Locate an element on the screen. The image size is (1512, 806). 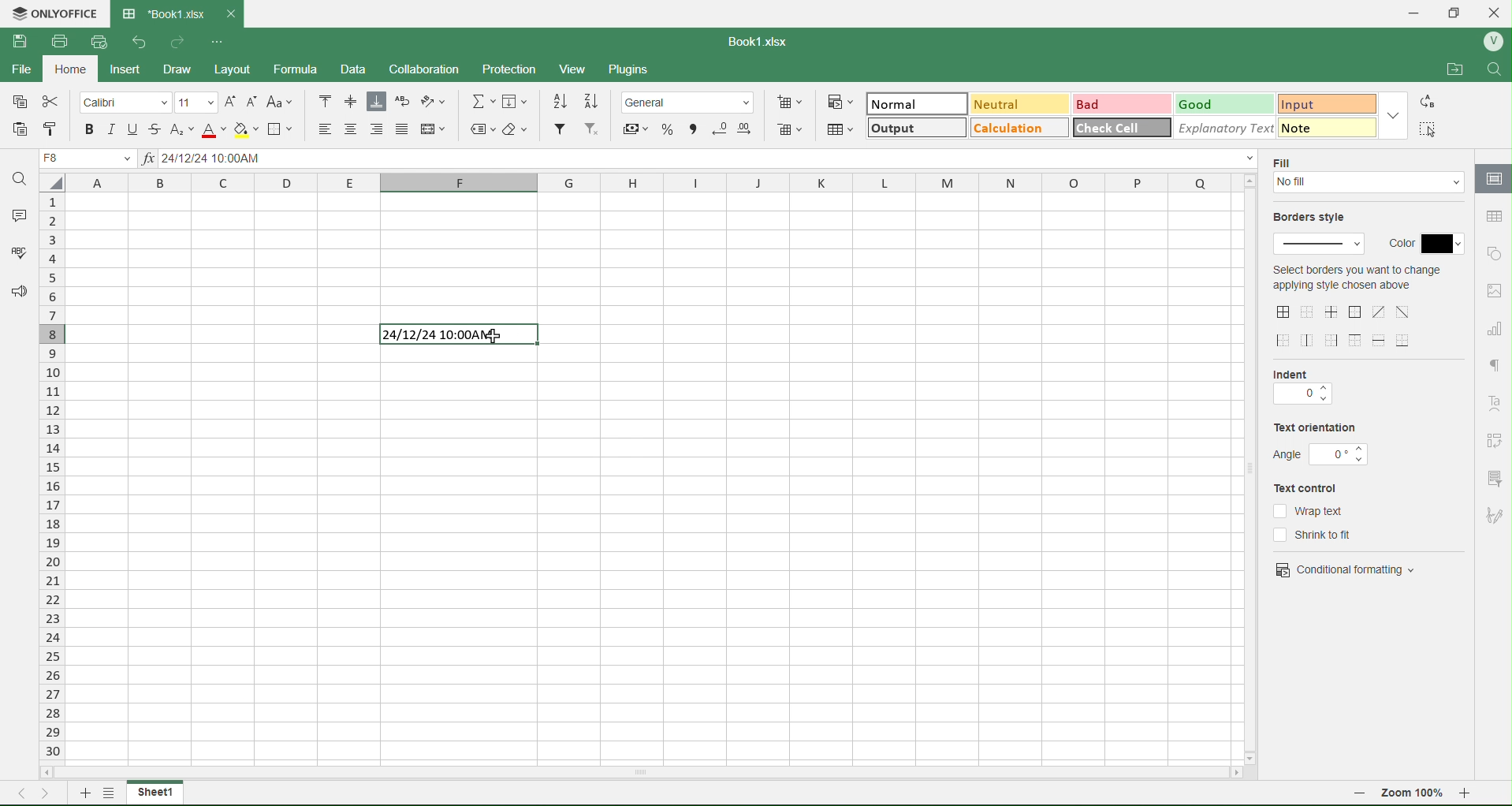
Percentage Style is located at coordinates (665, 129).